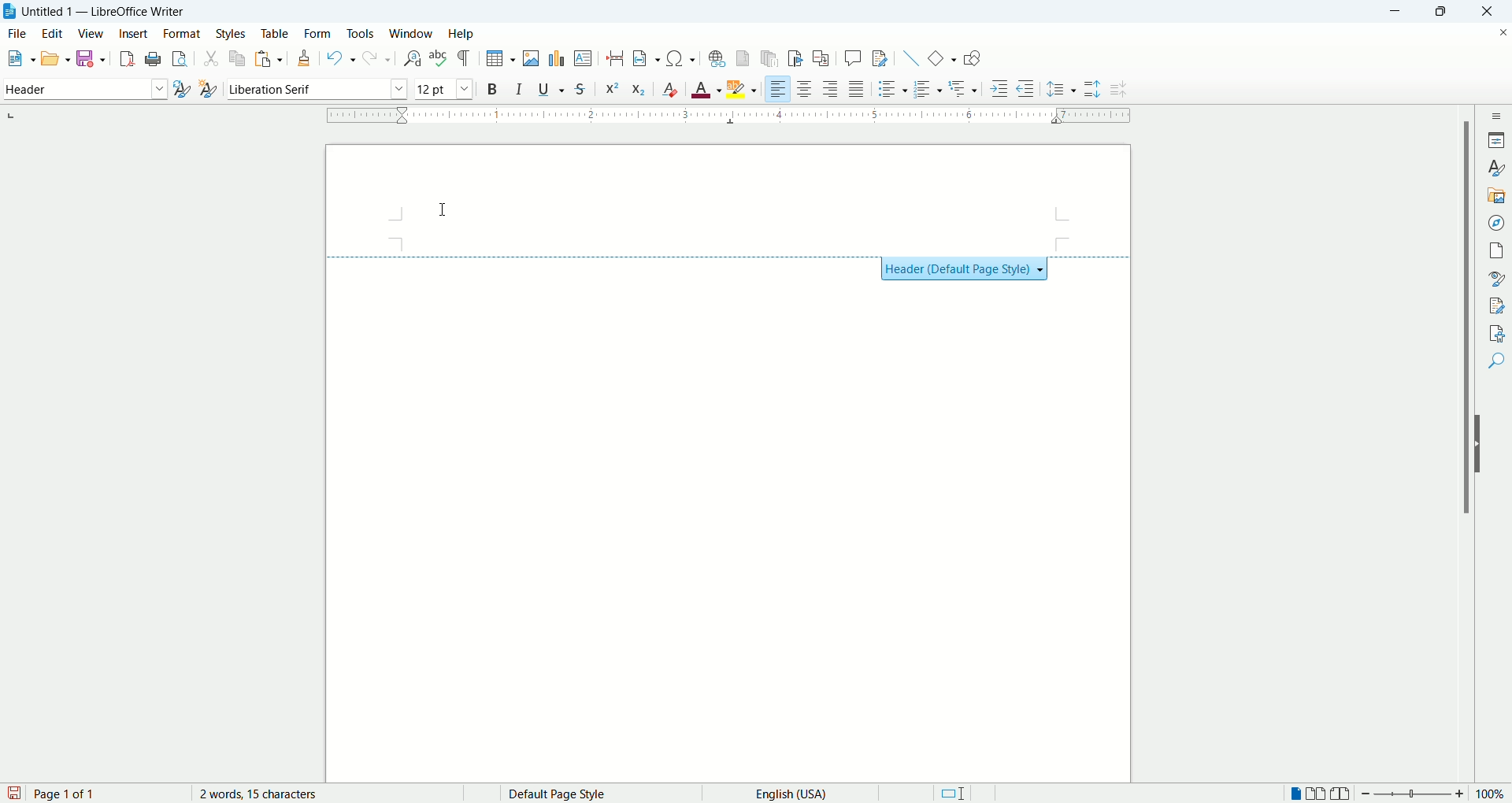 The height and width of the screenshot is (803, 1512). Describe the element at coordinates (796, 57) in the screenshot. I see `insert bookmark` at that location.